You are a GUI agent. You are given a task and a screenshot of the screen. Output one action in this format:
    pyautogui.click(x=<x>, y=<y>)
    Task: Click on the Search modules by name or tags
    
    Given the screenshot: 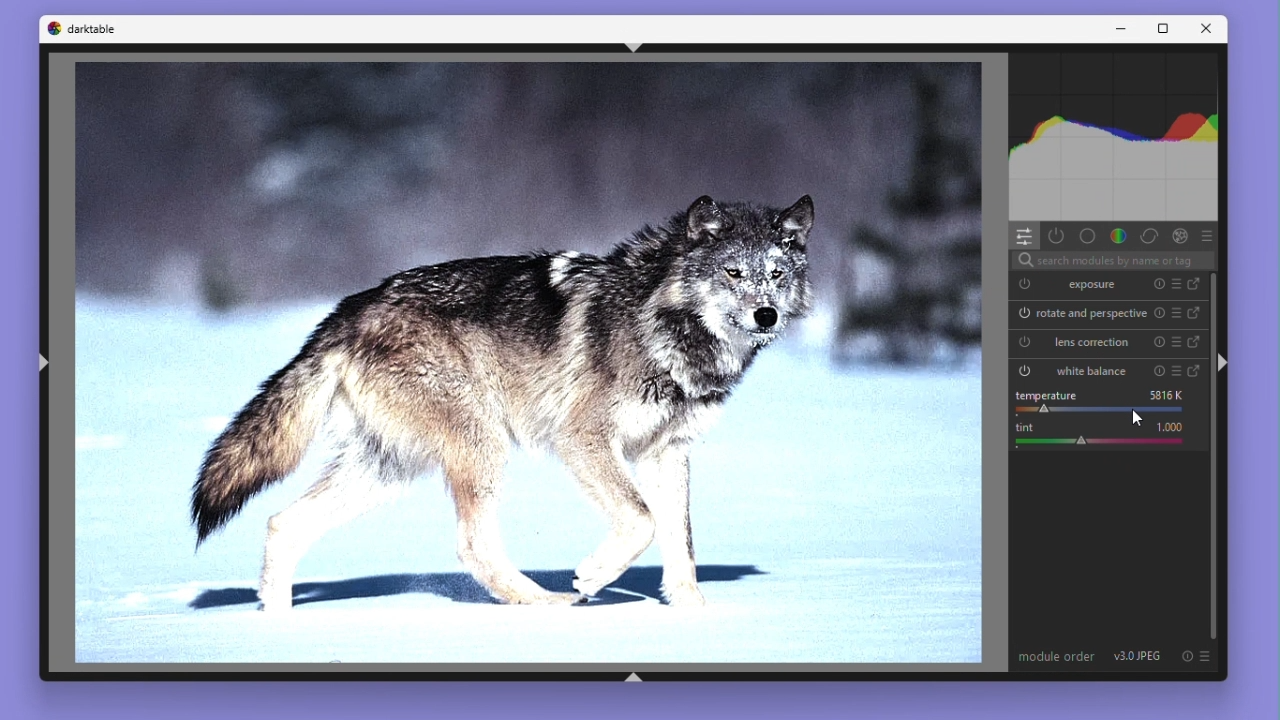 What is the action you would take?
    pyautogui.click(x=1112, y=259)
    